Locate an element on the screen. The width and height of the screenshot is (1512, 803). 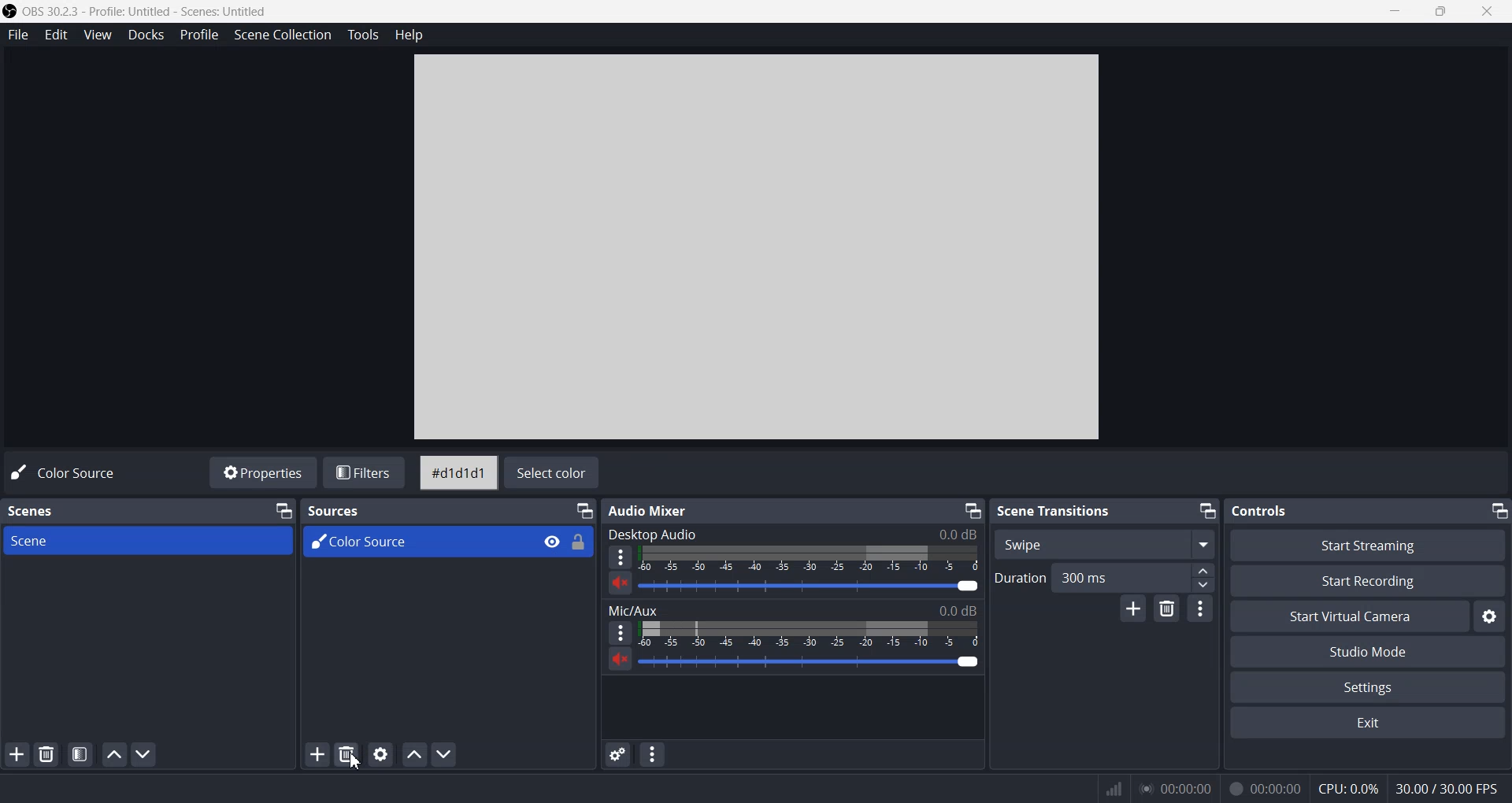
Unmute/ Mute is located at coordinates (620, 660).